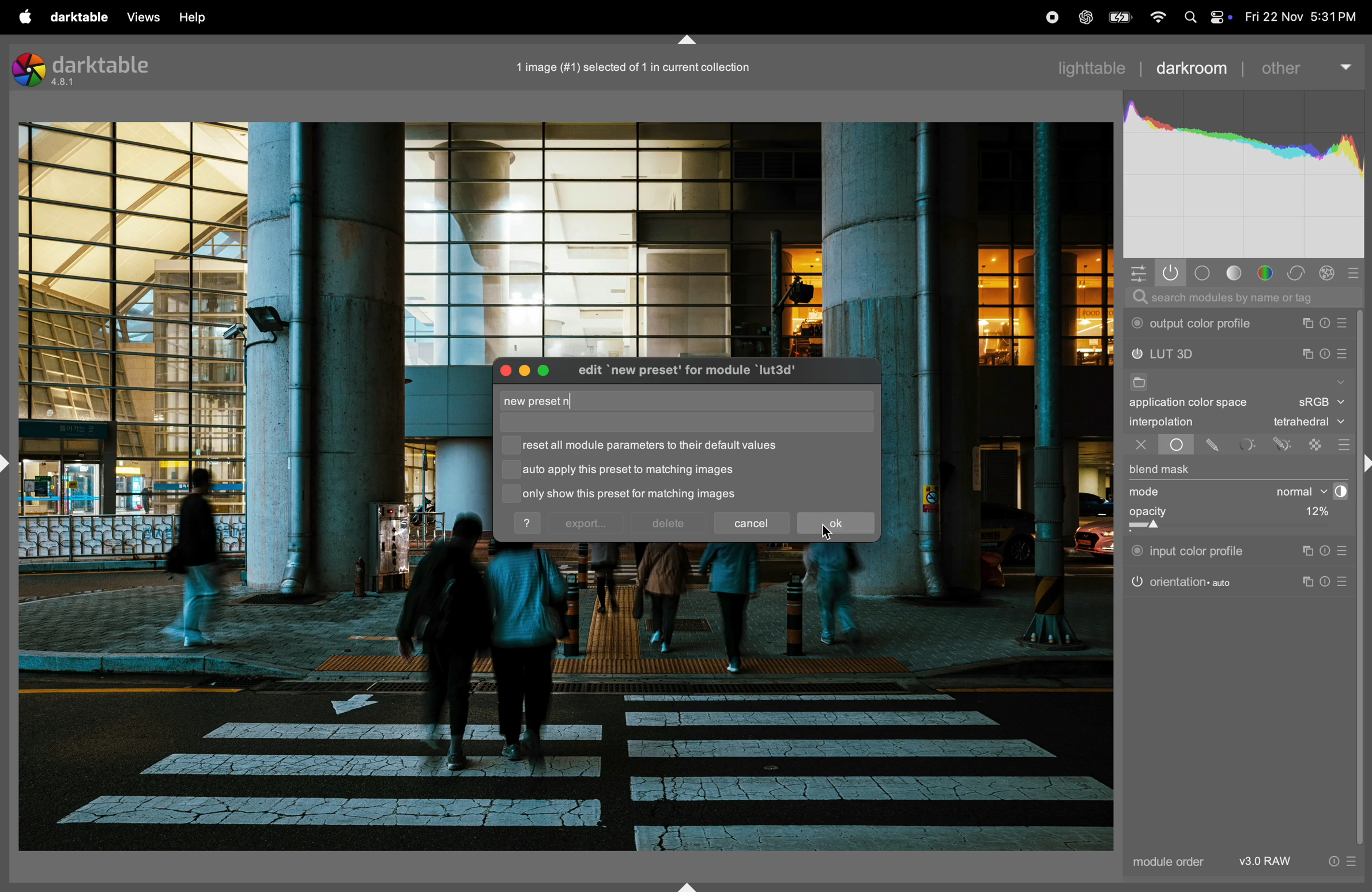 The height and width of the screenshot is (892, 1372). What do you see at coordinates (522, 370) in the screenshot?
I see `minimize` at bounding box center [522, 370].